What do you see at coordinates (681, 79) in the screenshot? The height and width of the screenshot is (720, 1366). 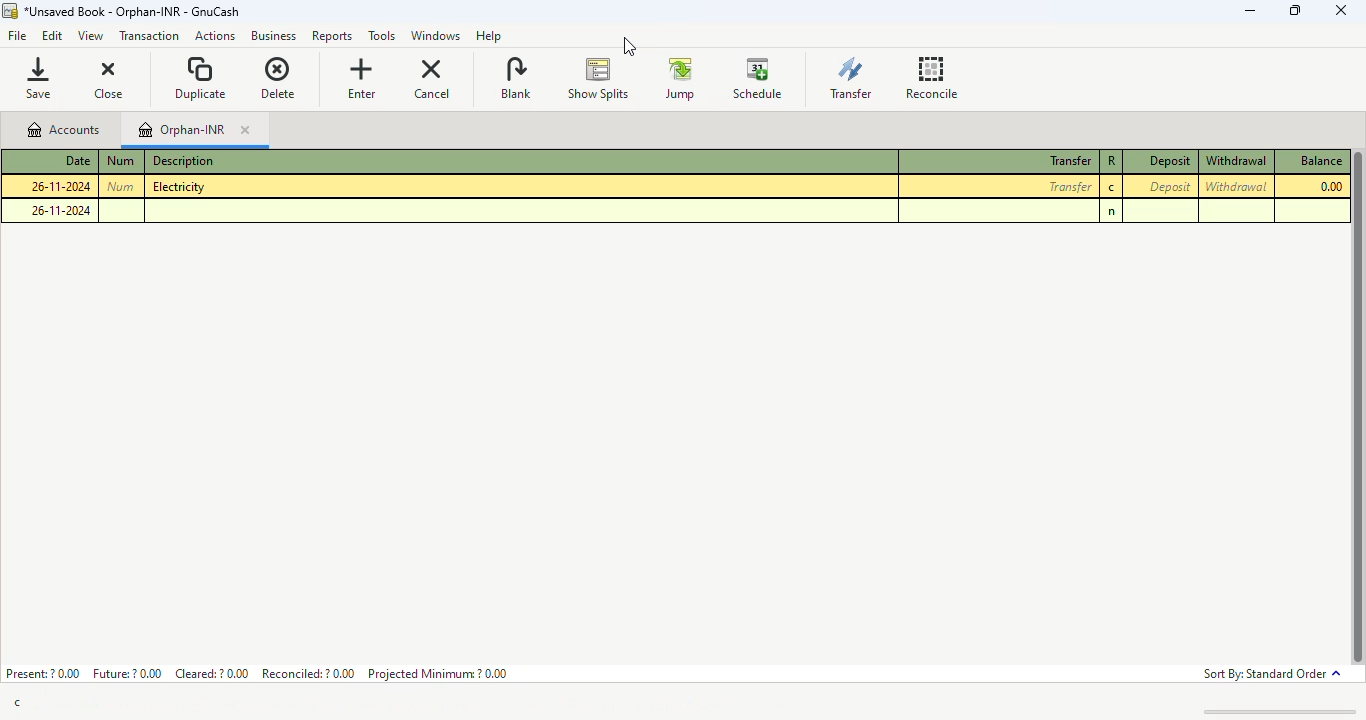 I see `jump` at bounding box center [681, 79].